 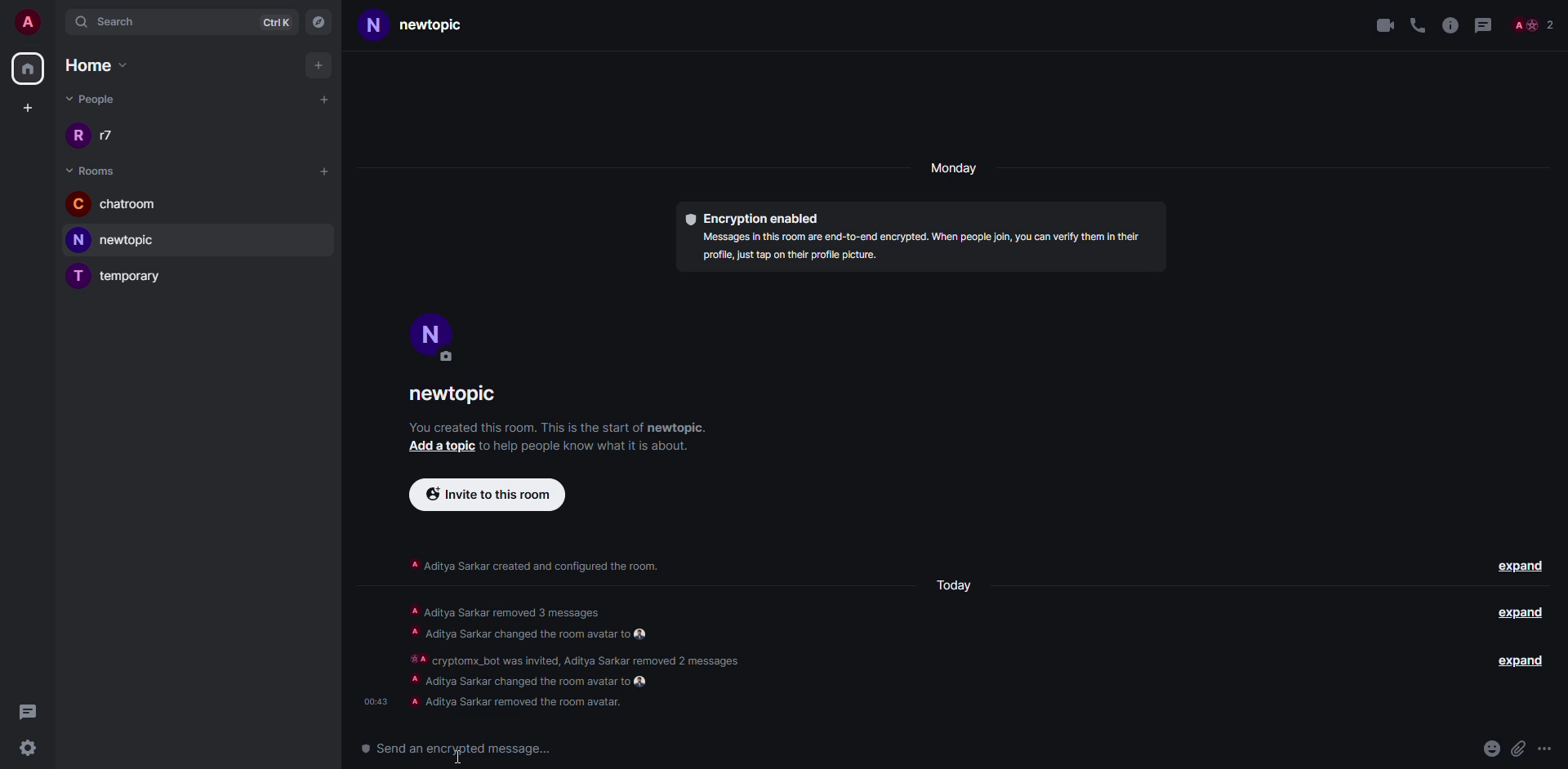 What do you see at coordinates (320, 65) in the screenshot?
I see `add` at bounding box center [320, 65].